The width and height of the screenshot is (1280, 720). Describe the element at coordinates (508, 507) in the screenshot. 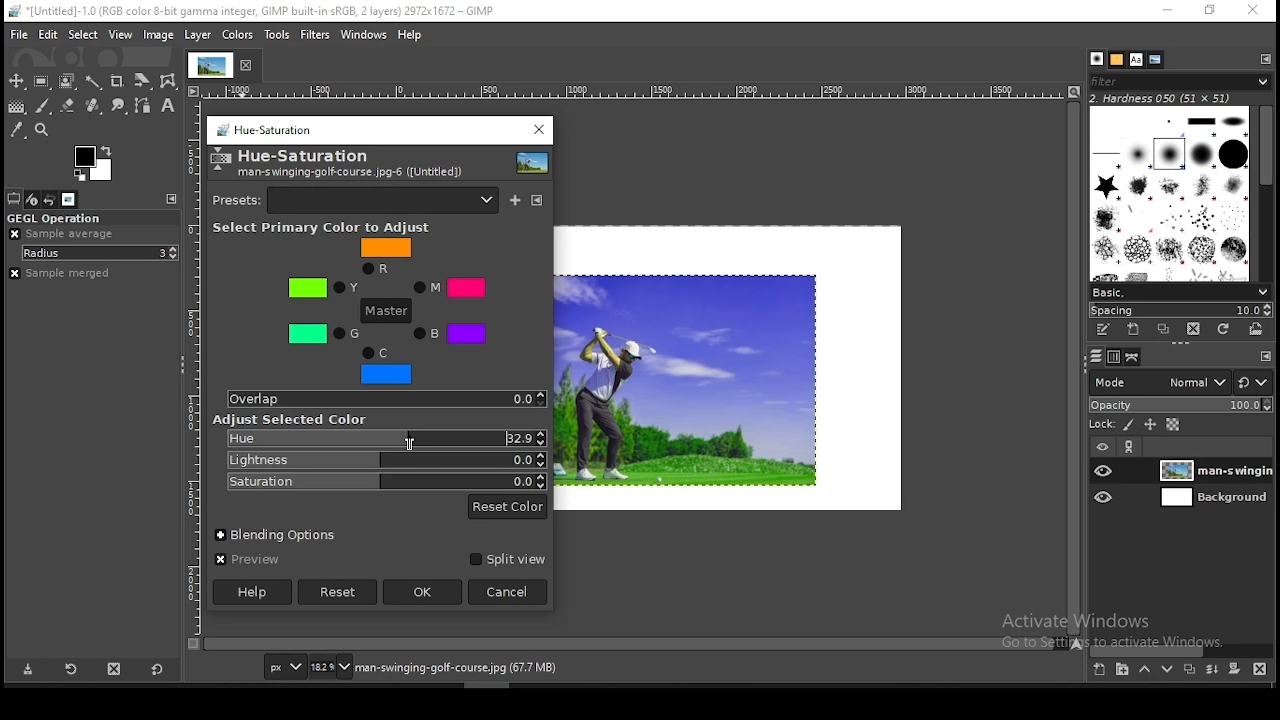

I see `reset color` at that location.